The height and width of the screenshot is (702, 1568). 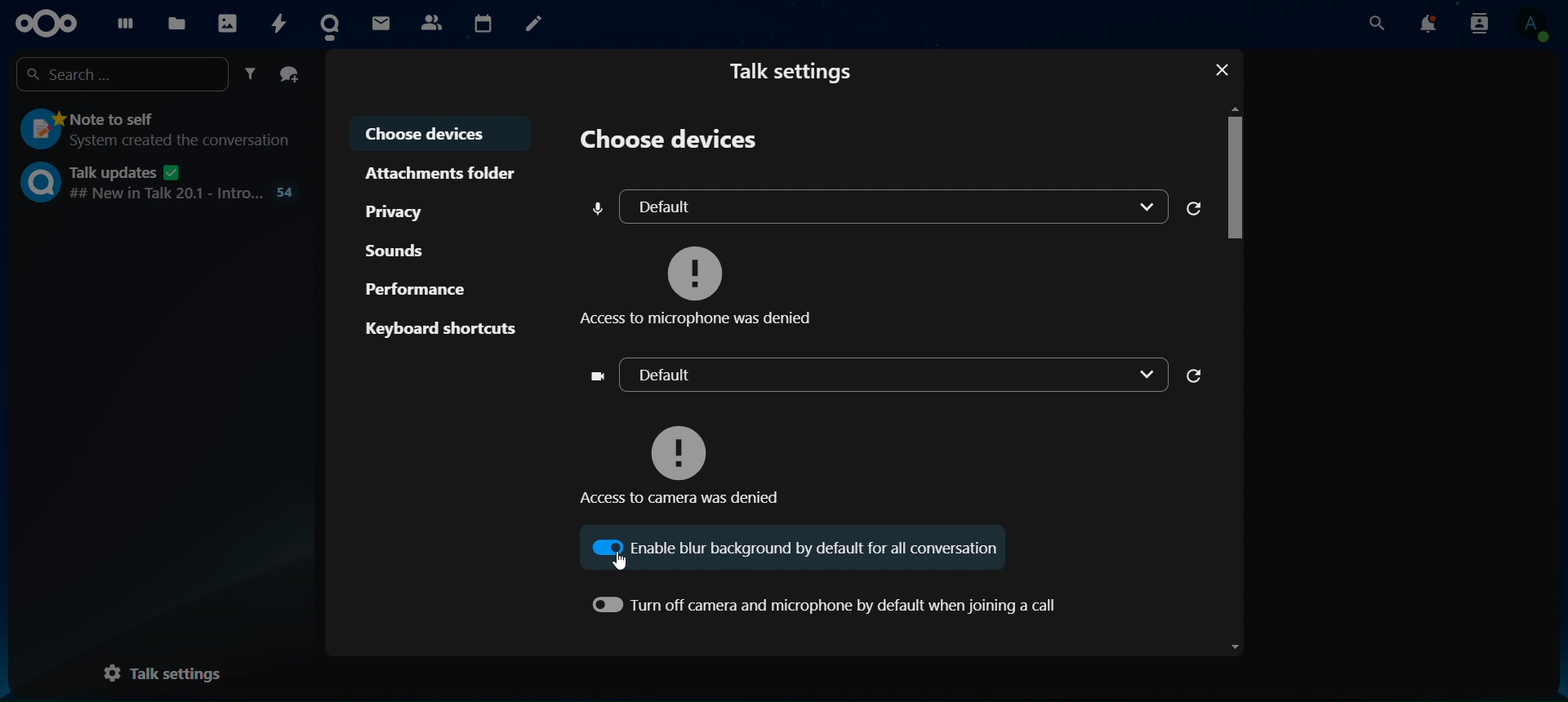 What do you see at coordinates (160, 673) in the screenshot?
I see `talk settings` at bounding box center [160, 673].